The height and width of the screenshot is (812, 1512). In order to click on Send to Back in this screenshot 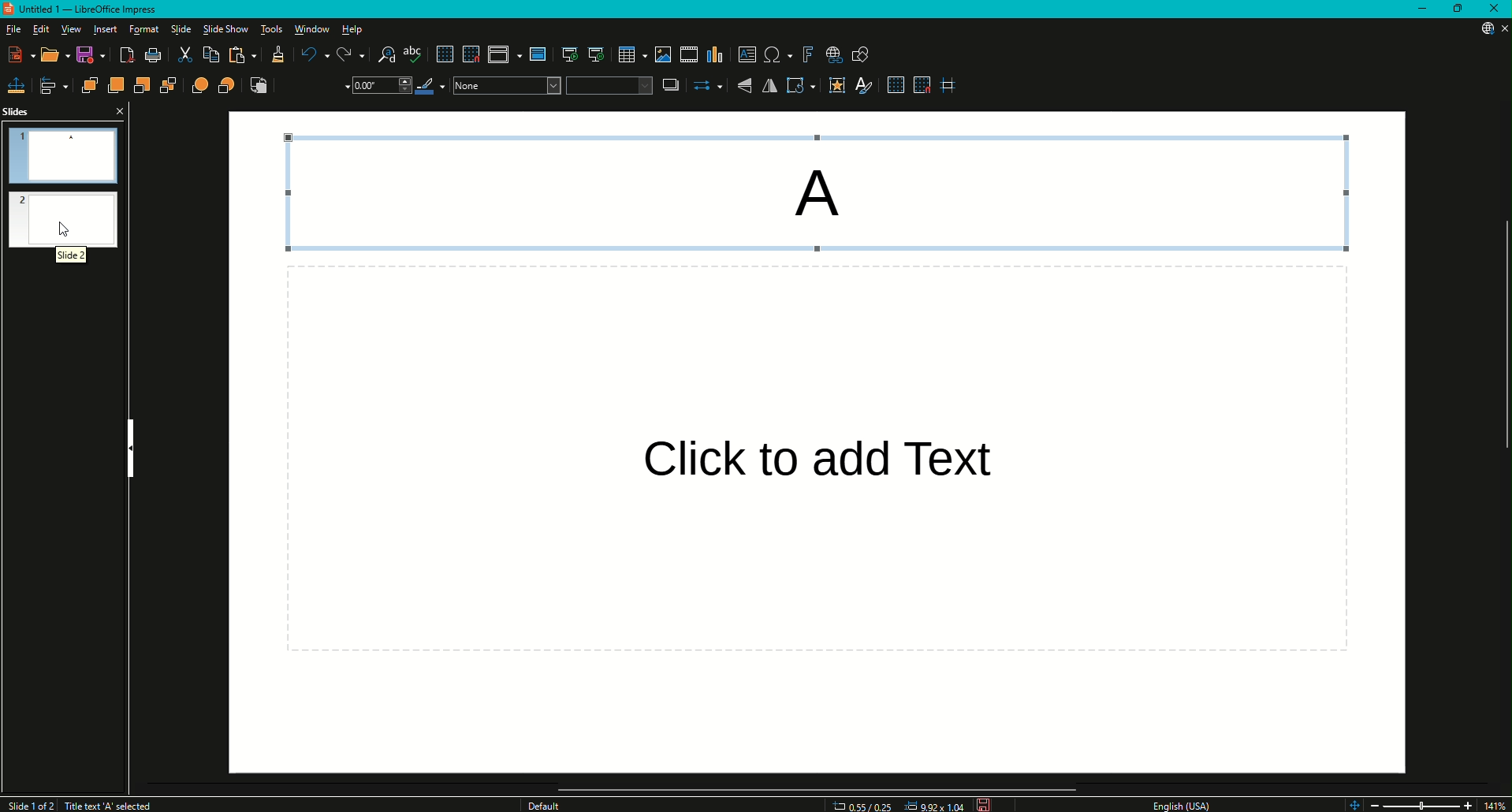, I will do `click(170, 85)`.